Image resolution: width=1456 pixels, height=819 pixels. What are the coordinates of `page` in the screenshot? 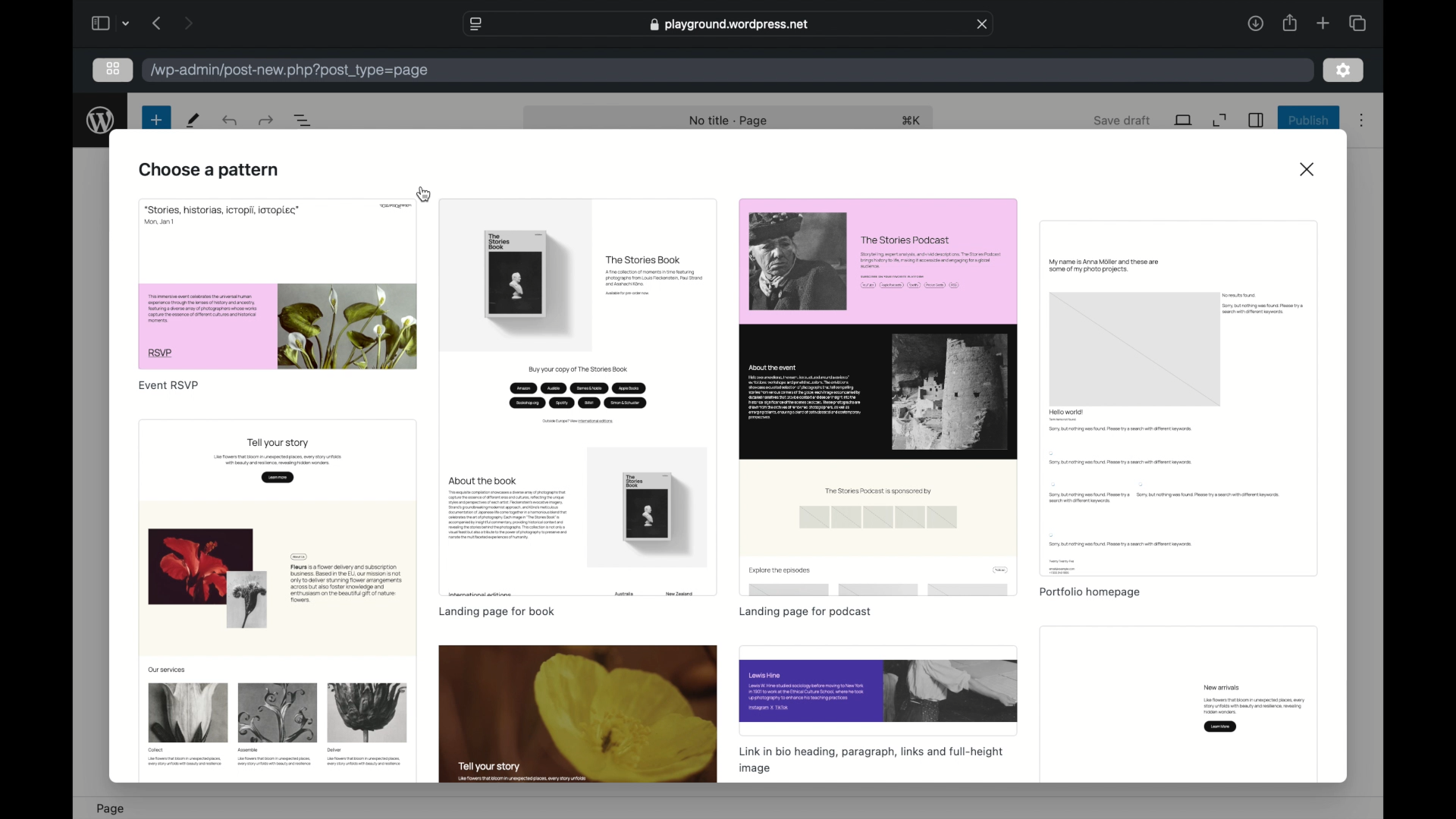 It's located at (110, 808).